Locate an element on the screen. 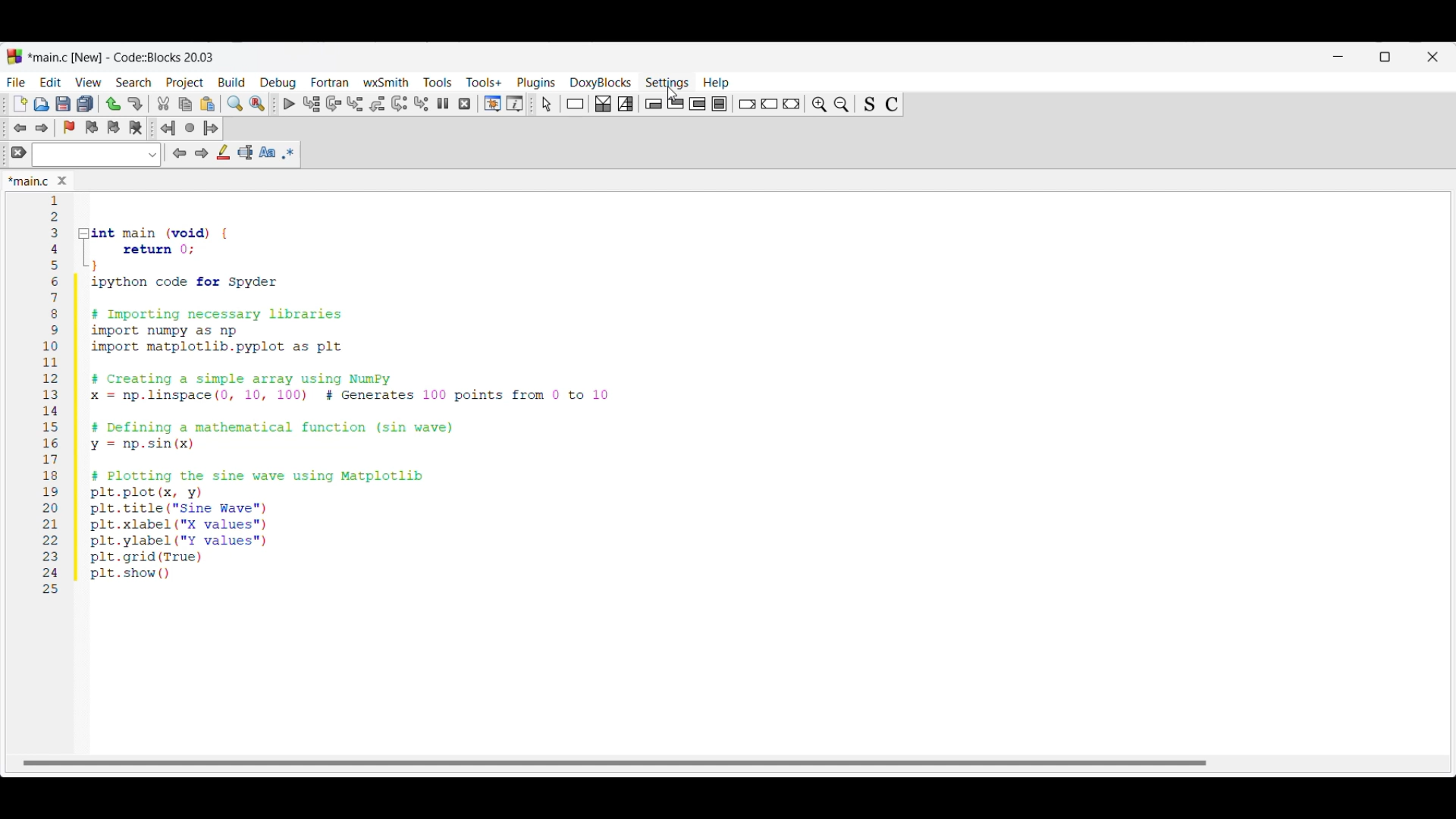 Image resolution: width=1456 pixels, height=819 pixels. Project menu is located at coordinates (185, 83).